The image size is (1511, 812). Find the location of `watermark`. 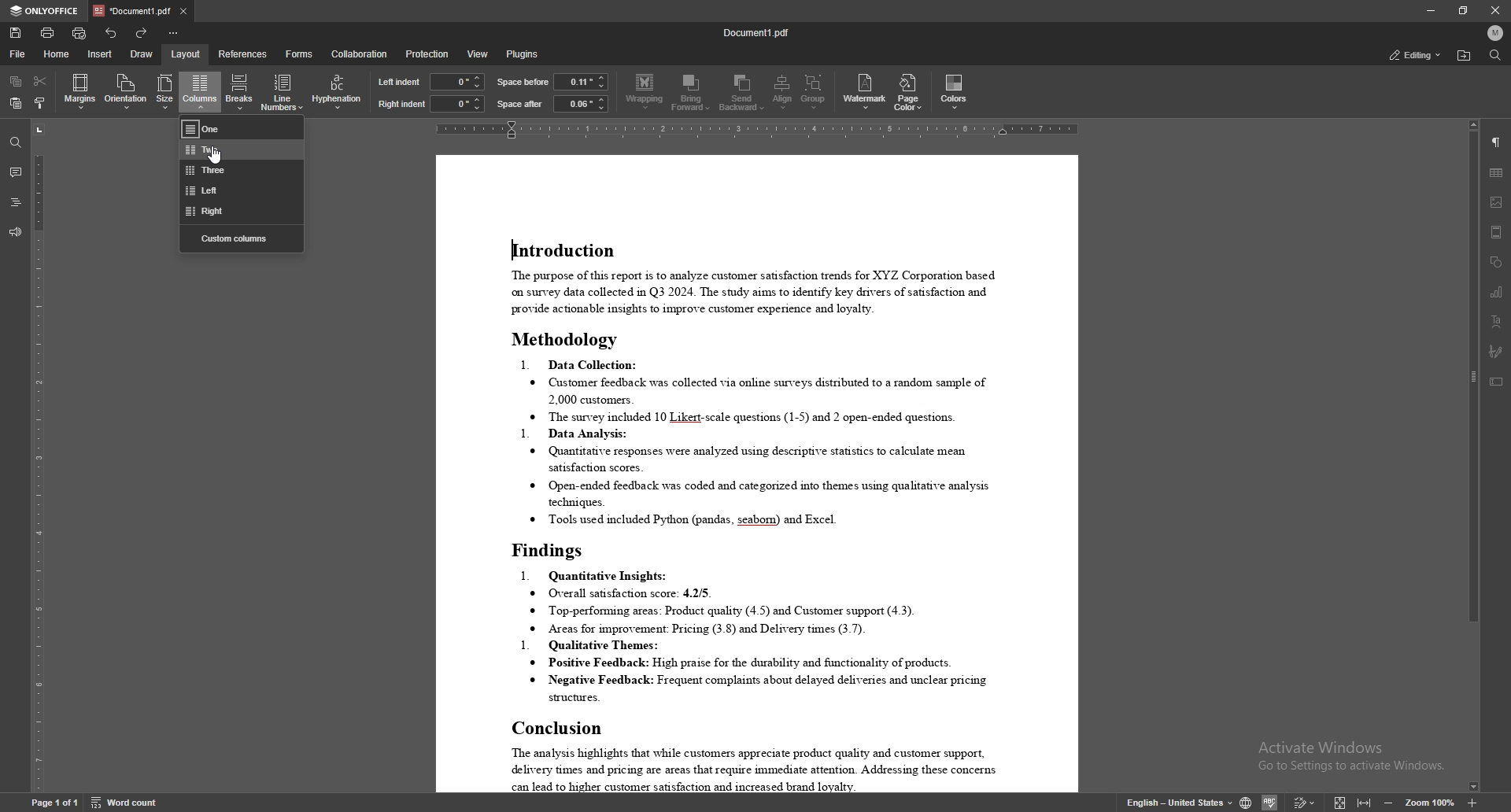

watermark is located at coordinates (866, 91).